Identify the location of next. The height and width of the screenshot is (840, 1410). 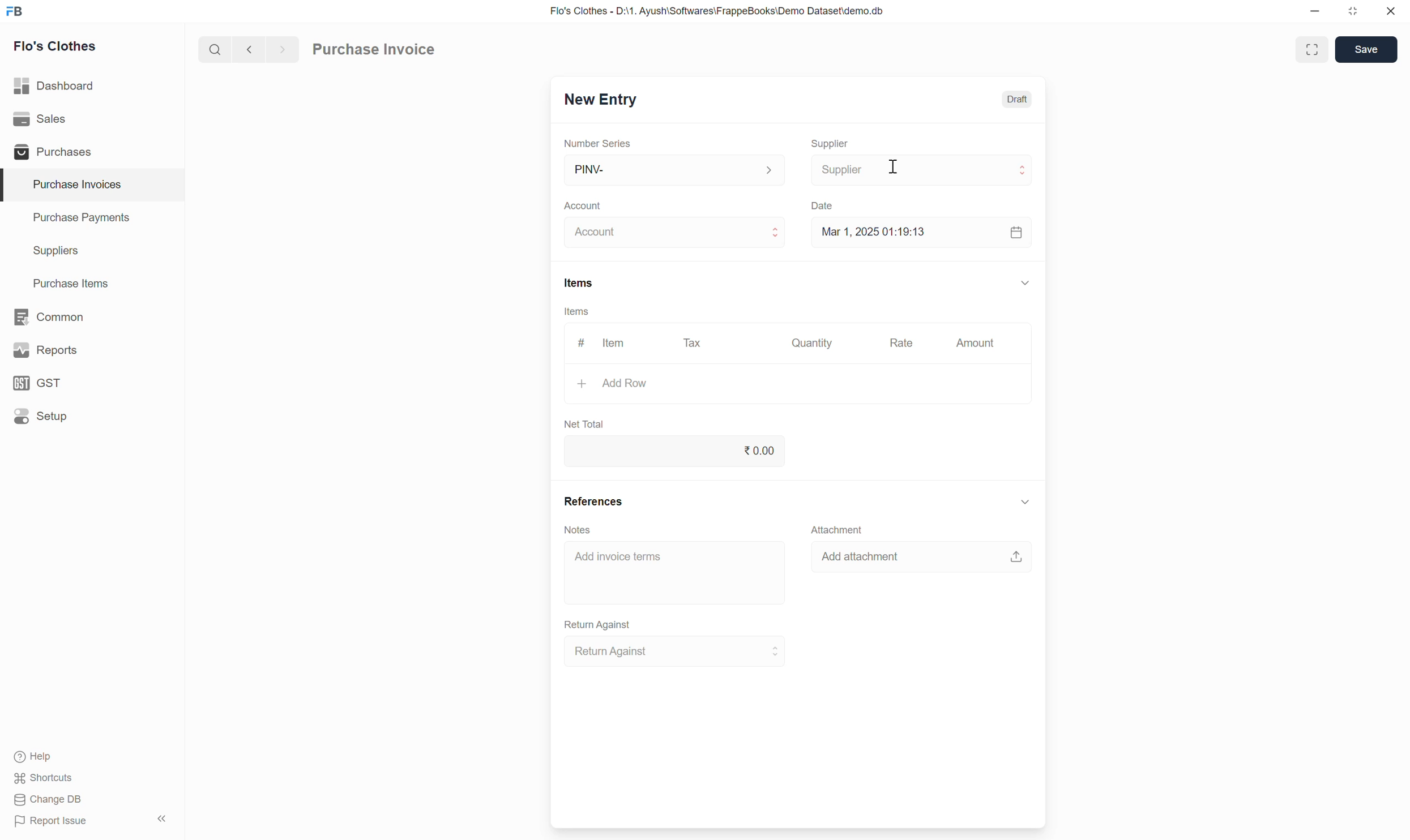
(247, 50).